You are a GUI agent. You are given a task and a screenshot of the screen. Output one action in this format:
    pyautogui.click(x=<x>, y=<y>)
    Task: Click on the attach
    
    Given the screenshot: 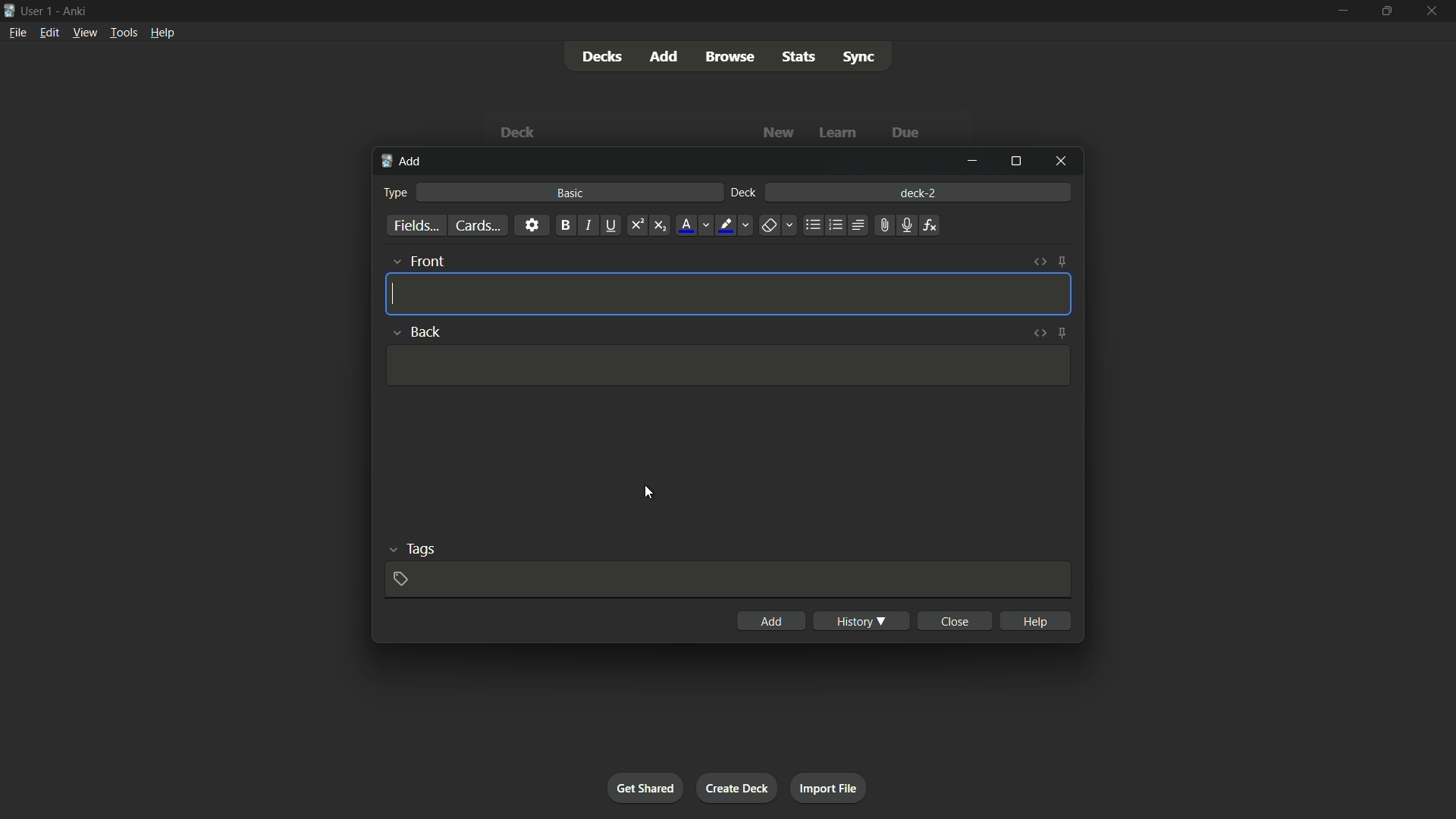 What is the action you would take?
    pyautogui.click(x=885, y=224)
    